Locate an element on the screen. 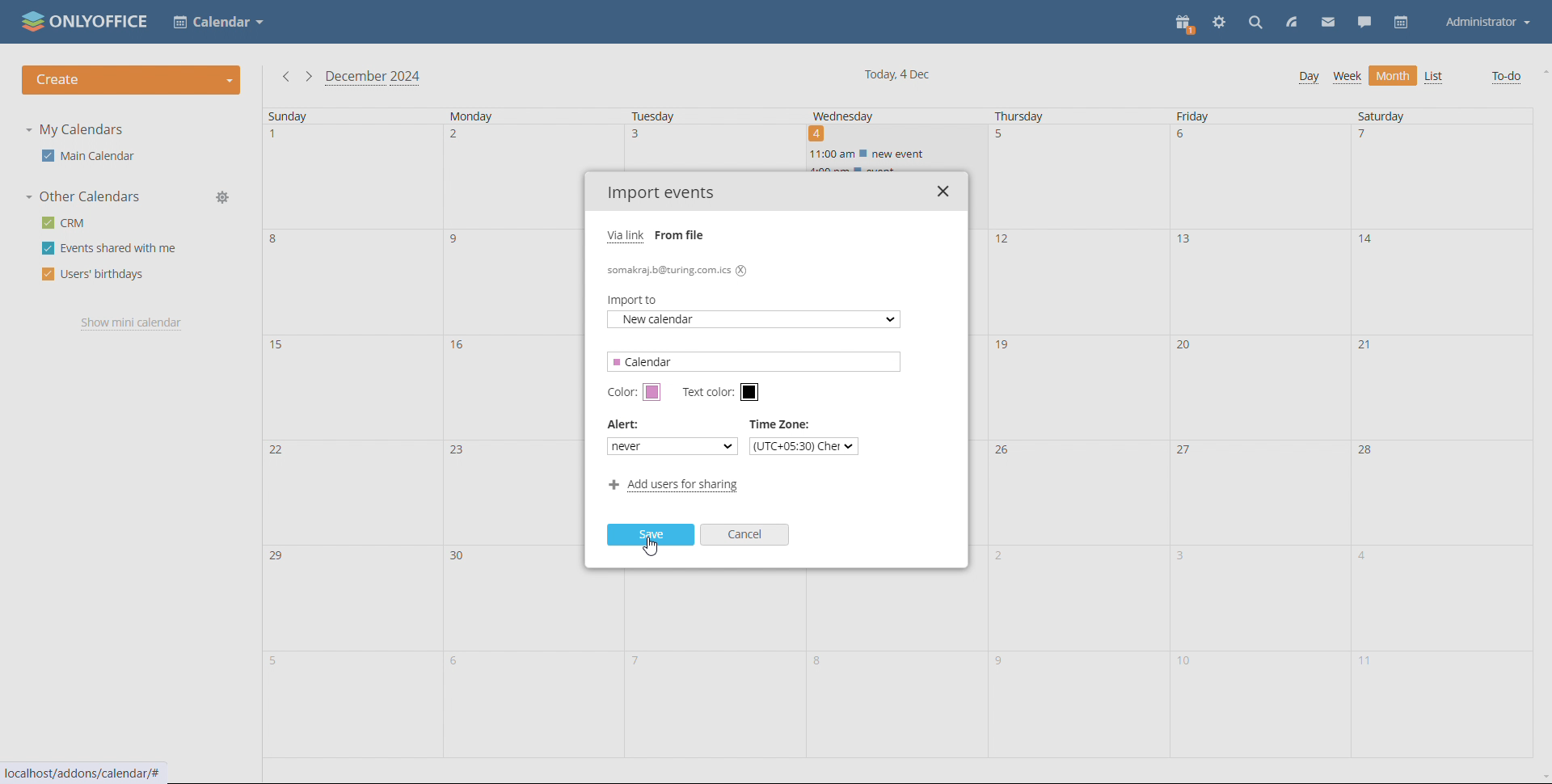  set text color is located at coordinates (750, 393).